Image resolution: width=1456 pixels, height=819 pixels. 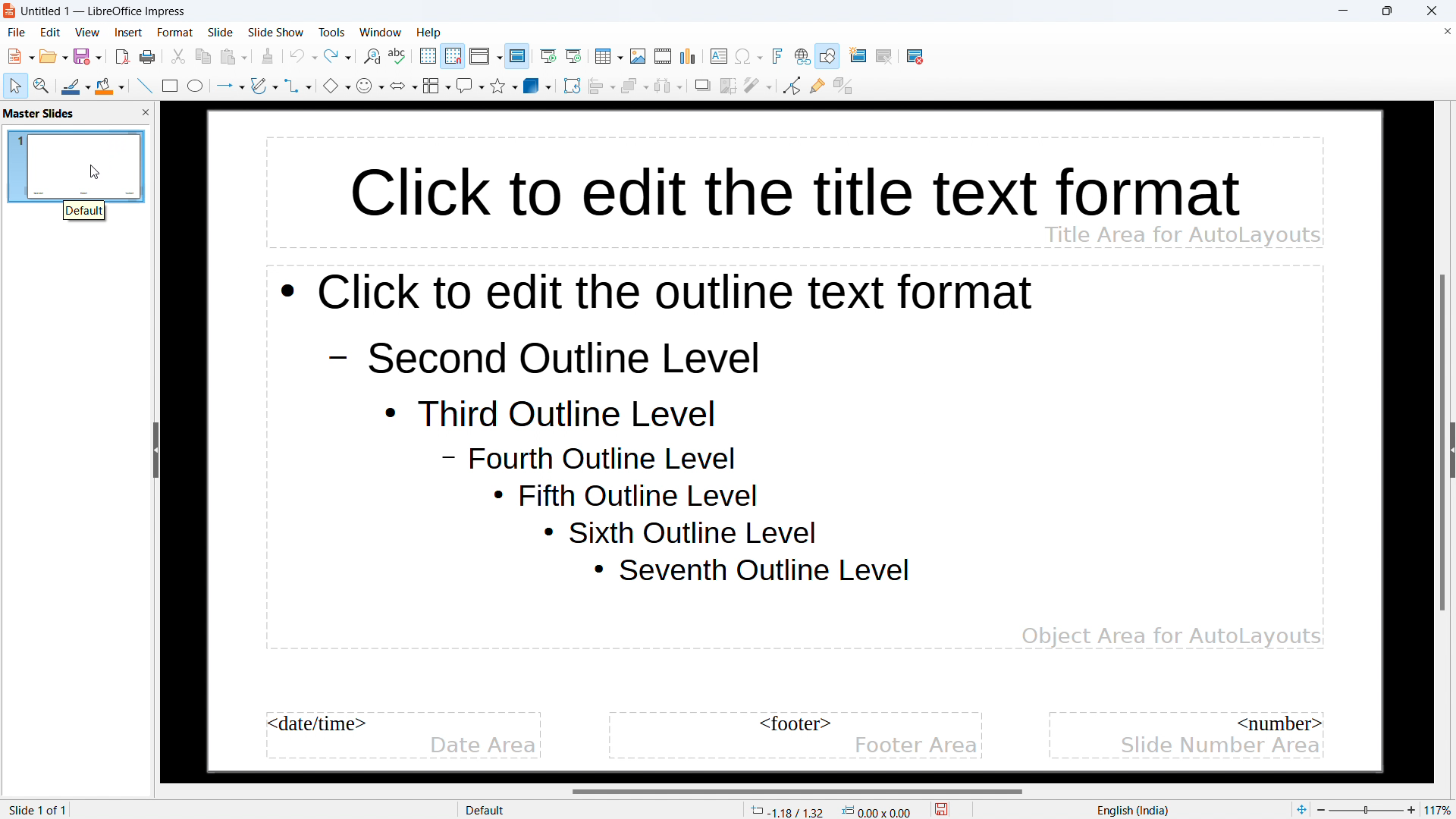 I want to click on symbol shapes, so click(x=370, y=86).